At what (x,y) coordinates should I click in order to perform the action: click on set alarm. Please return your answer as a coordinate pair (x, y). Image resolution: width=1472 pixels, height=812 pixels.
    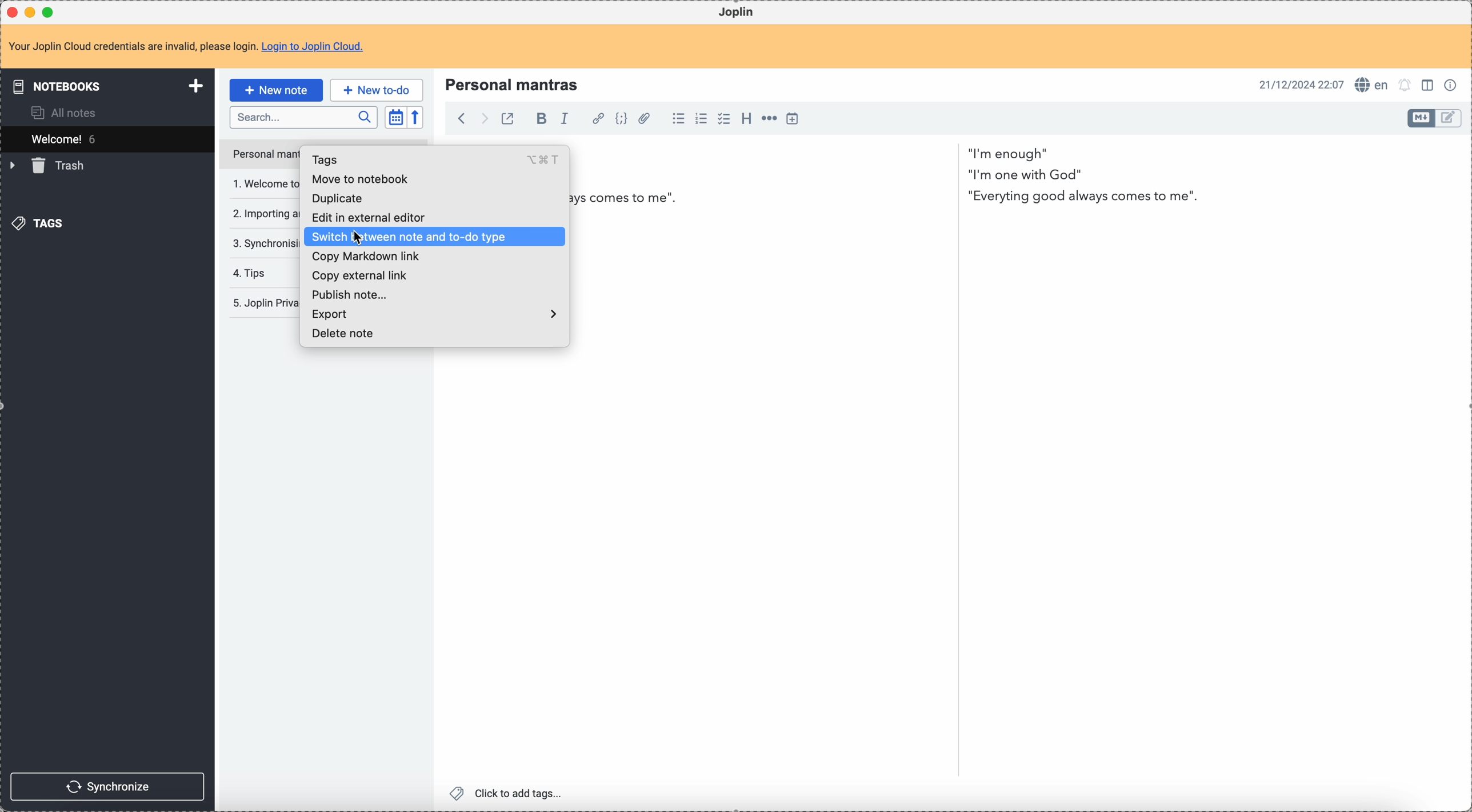
    Looking at the image, I should click on (1406, 84).